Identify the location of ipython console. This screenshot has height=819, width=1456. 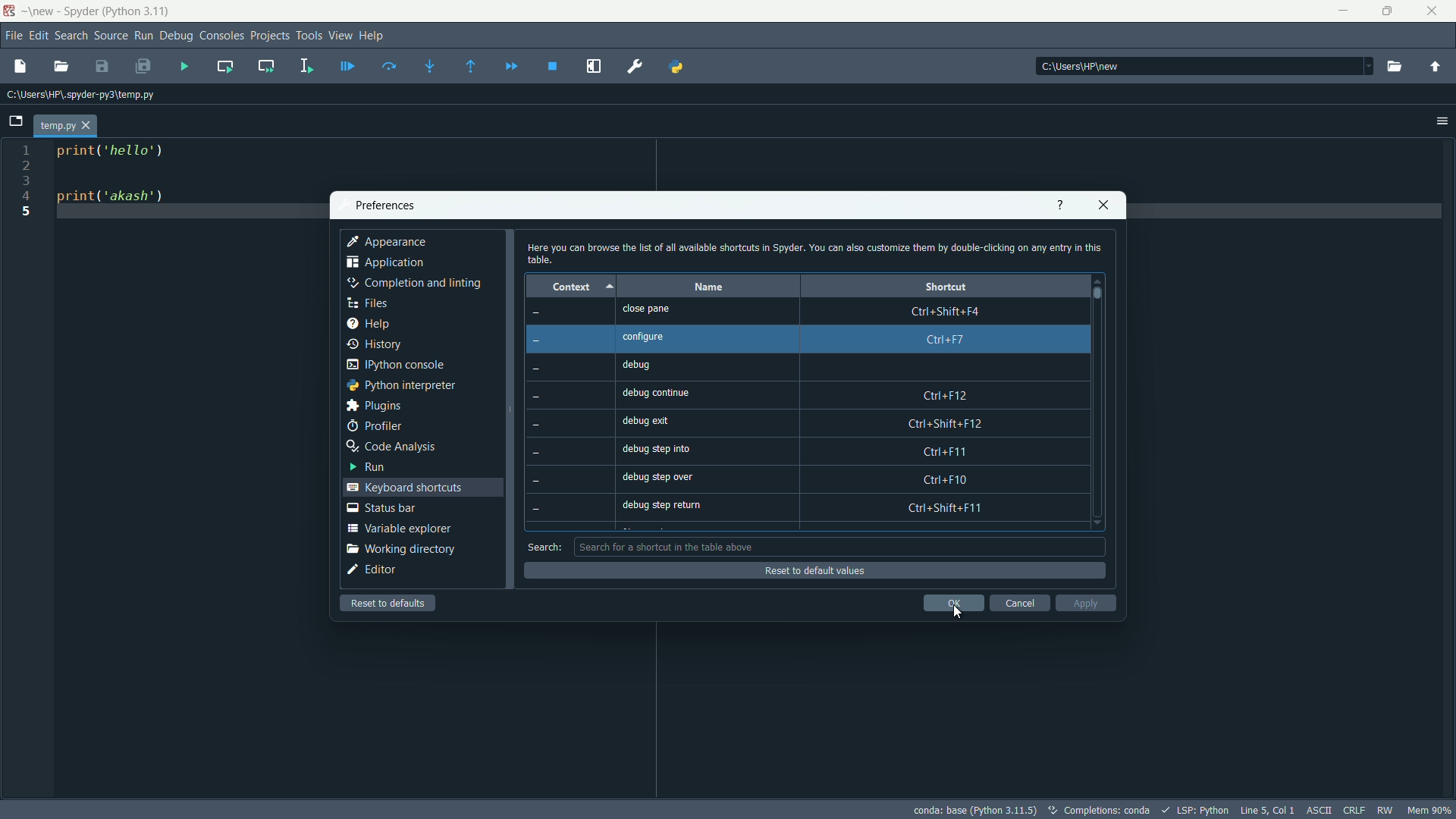
(395, 365).